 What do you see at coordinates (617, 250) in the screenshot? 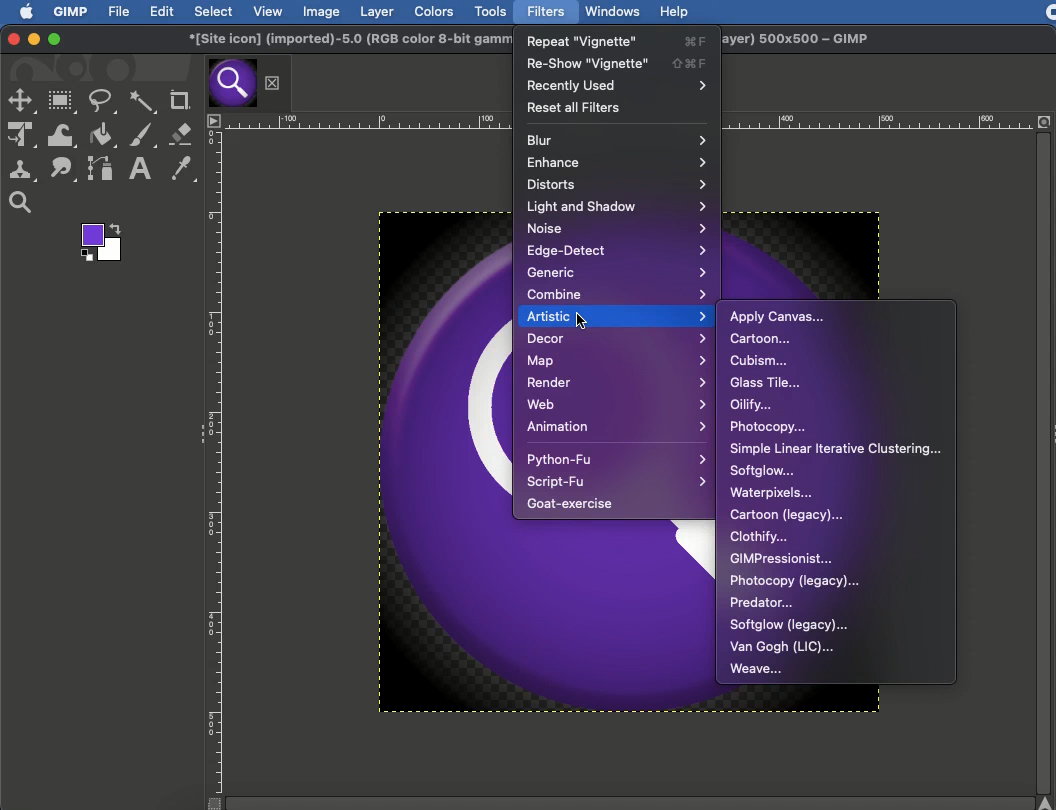
I see `Edge-detect` at bounding box center [617, 250].